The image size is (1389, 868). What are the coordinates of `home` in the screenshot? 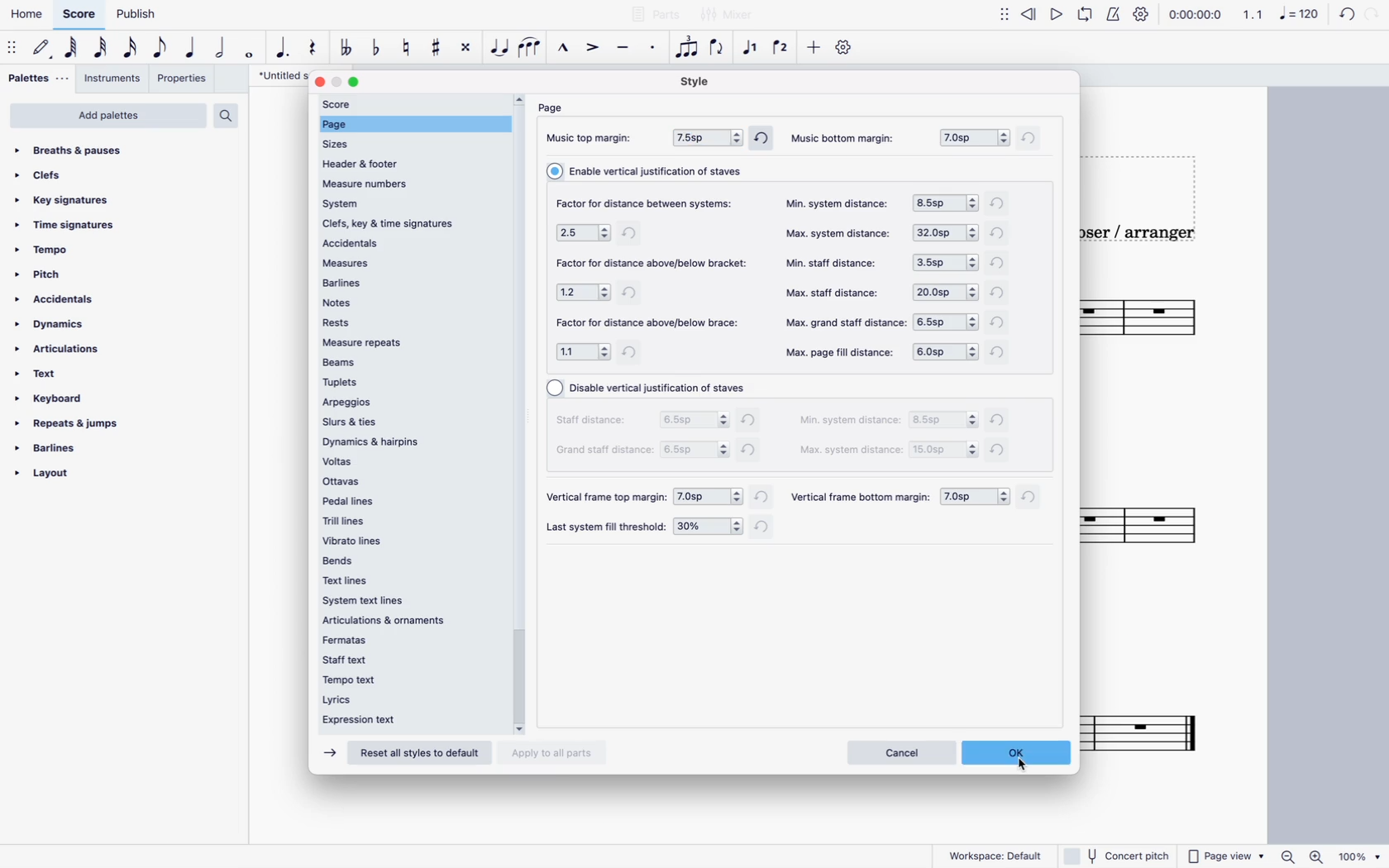 It's located at (27, 14).